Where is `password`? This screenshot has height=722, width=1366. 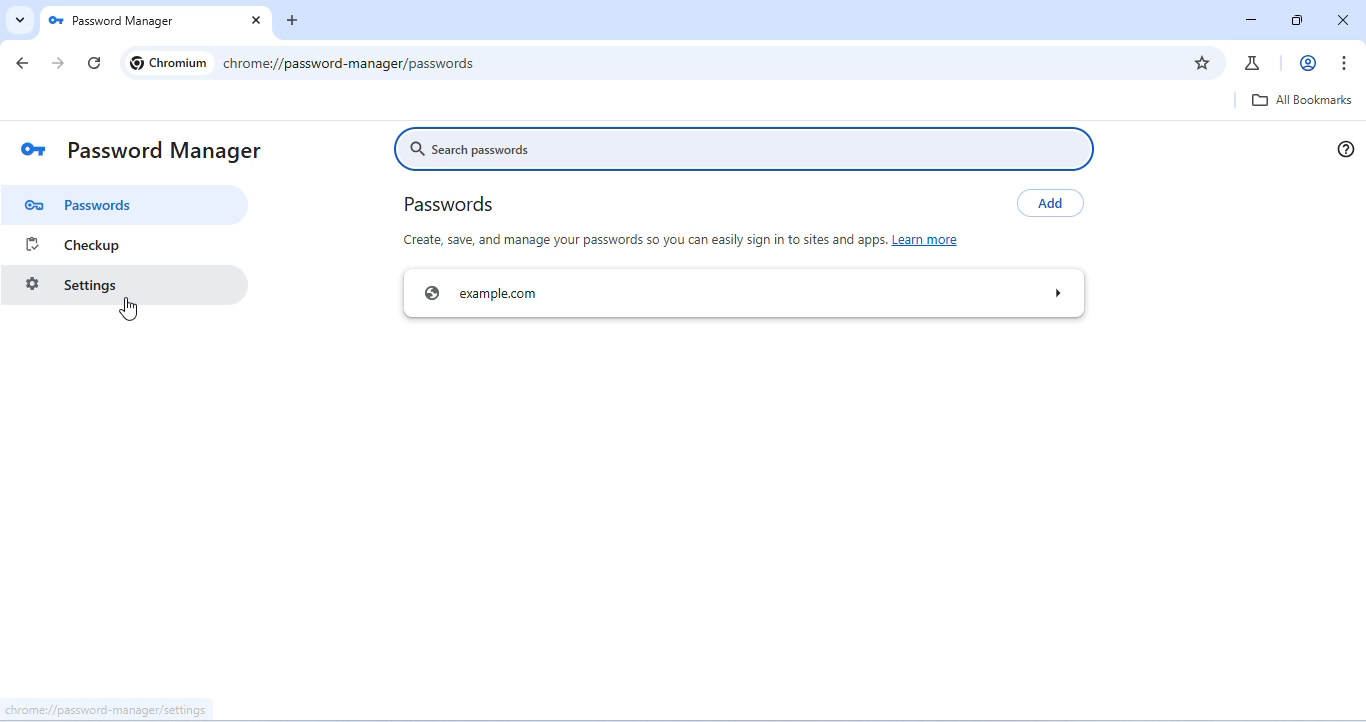
password is located at coordinates (126, 204).